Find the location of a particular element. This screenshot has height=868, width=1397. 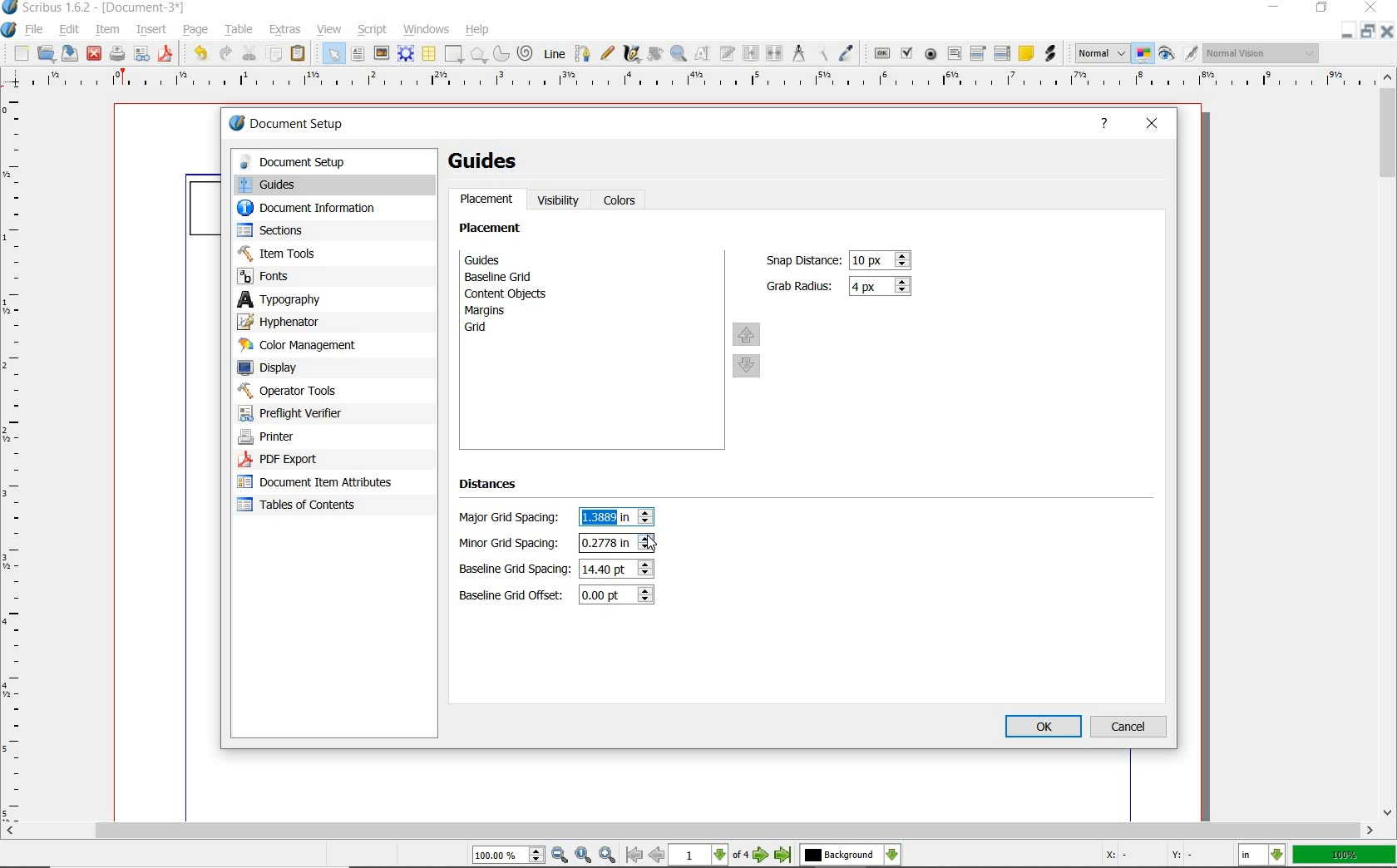

insert is located at coordinates (151, 28).